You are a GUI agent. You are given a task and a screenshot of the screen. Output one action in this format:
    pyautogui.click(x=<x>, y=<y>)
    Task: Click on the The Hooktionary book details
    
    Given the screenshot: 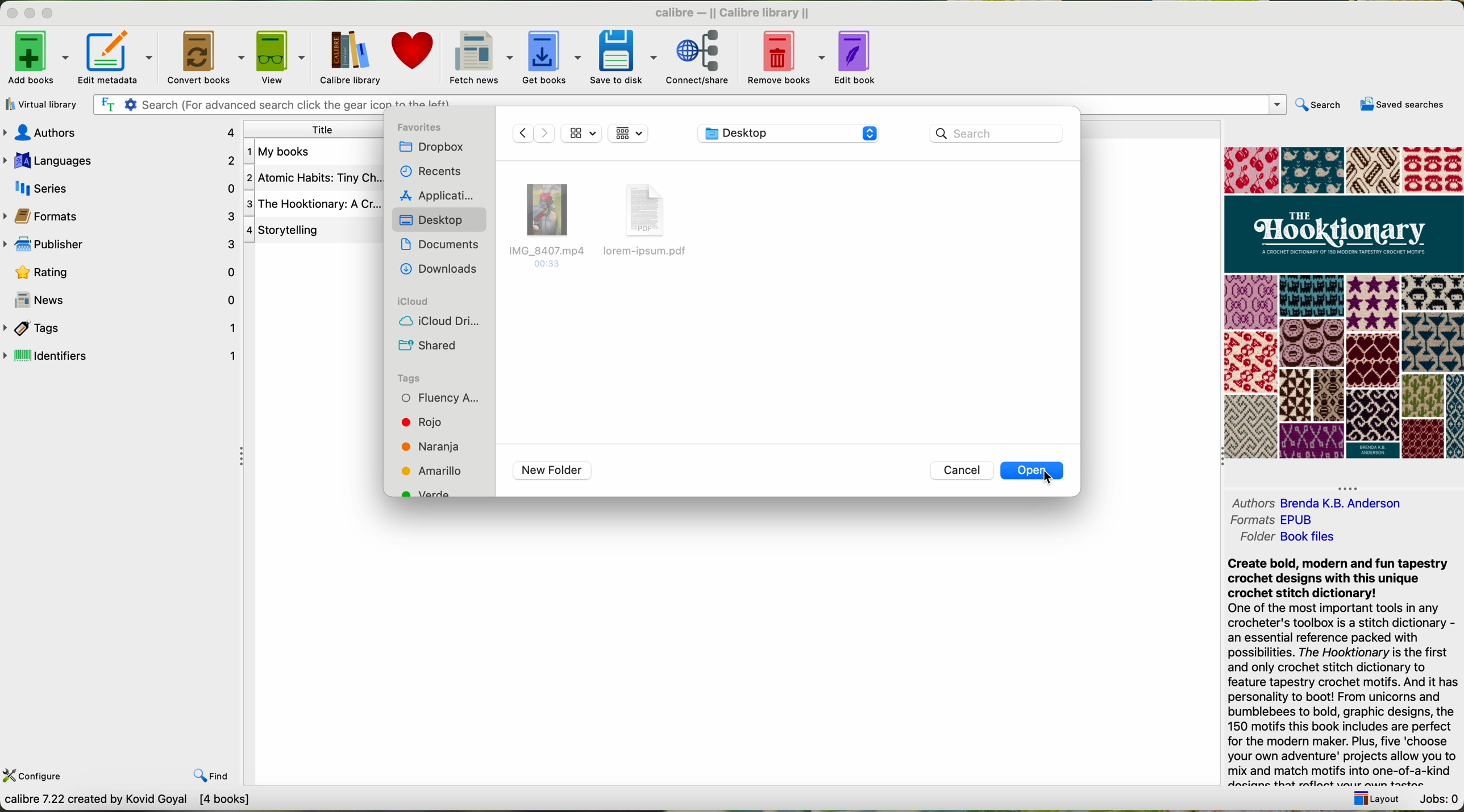 What is the action you would take?
    pyautogui.click(x=311, y=179)
    